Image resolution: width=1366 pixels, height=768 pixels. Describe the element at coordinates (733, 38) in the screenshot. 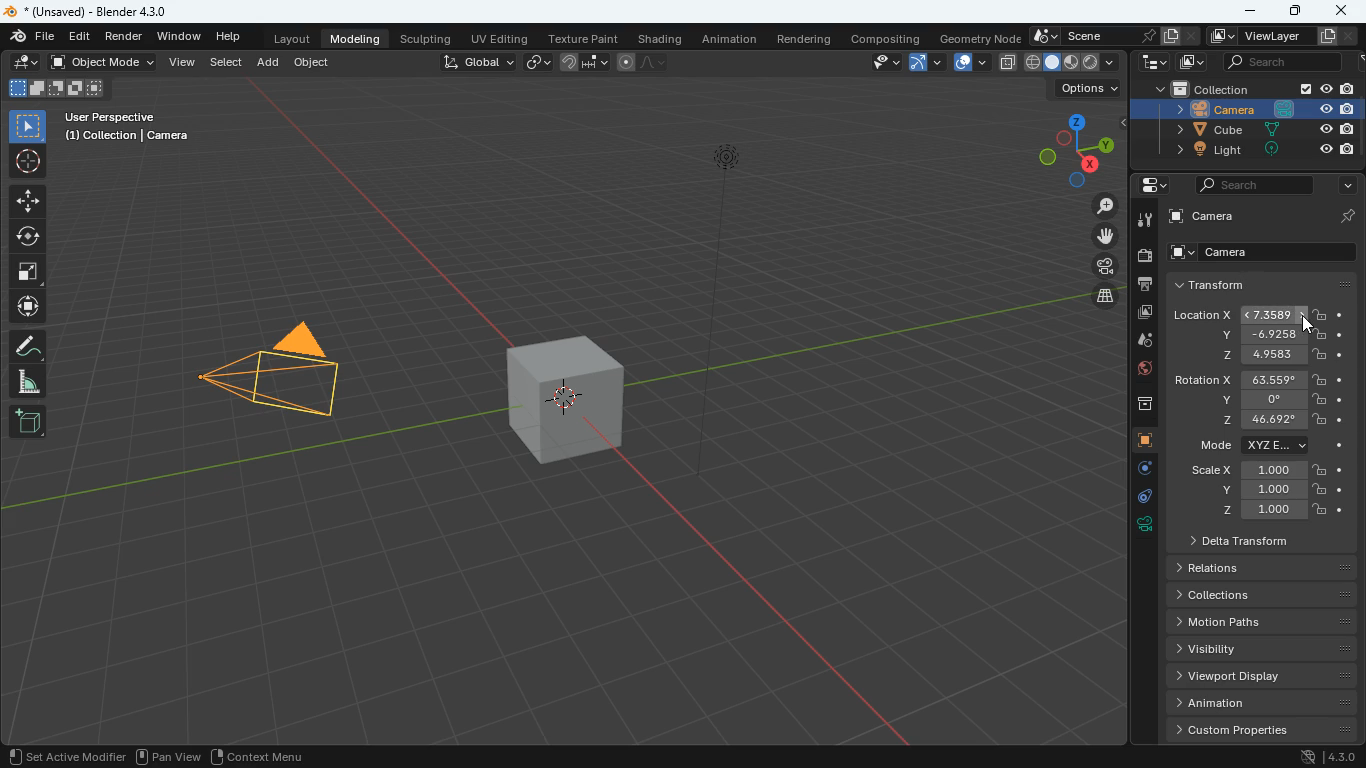

I see `animation` at that location.